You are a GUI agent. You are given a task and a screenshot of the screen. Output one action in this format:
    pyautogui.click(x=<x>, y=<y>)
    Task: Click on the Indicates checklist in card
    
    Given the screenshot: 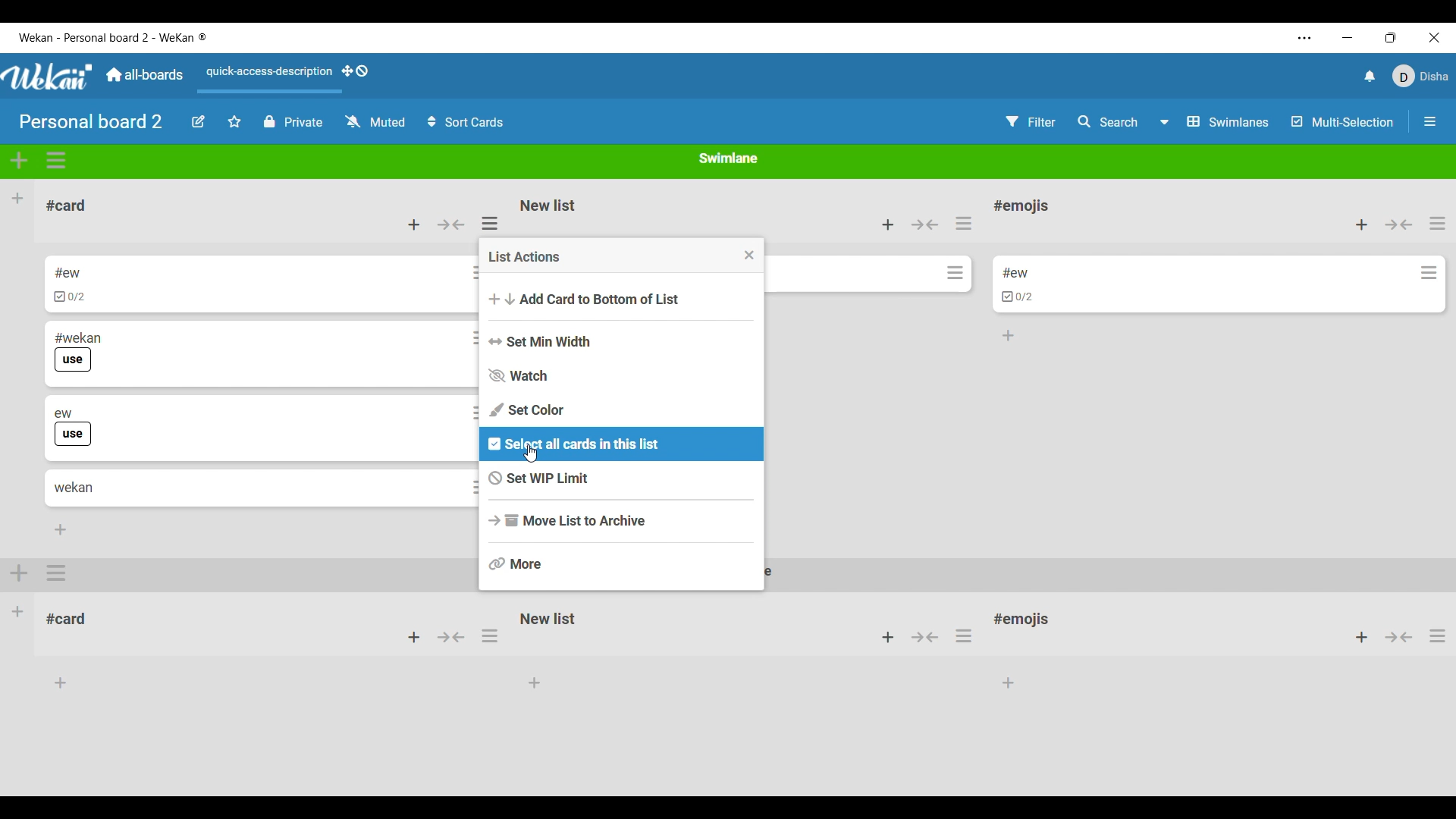 What is the action you would take?
    pyautogui.click(x=70, y=297)
    